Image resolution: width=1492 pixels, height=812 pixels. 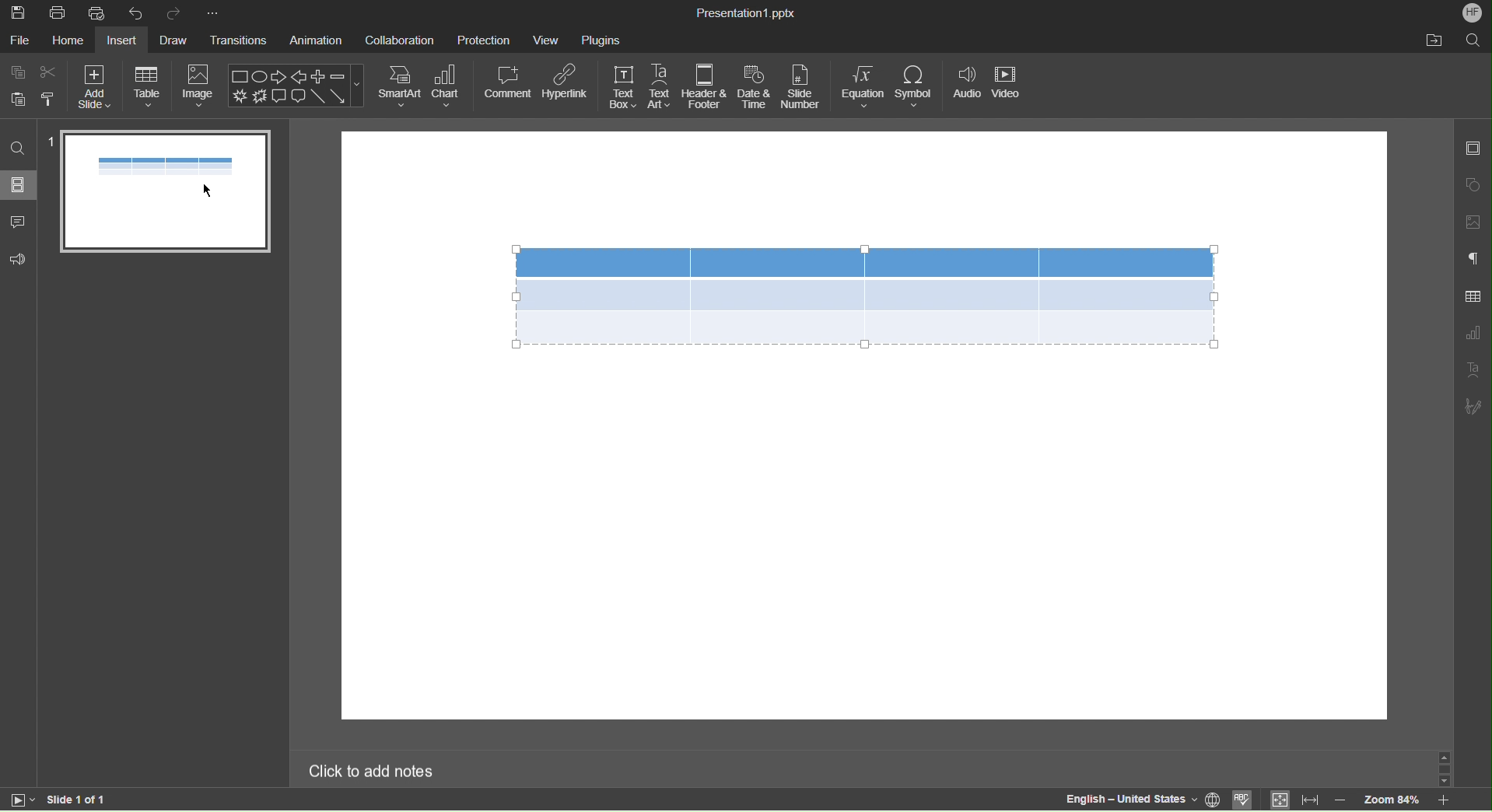 What do you see at coordinates (16, 100) in the screenshot?
I see `Paste` at bounding box center [16, 100].